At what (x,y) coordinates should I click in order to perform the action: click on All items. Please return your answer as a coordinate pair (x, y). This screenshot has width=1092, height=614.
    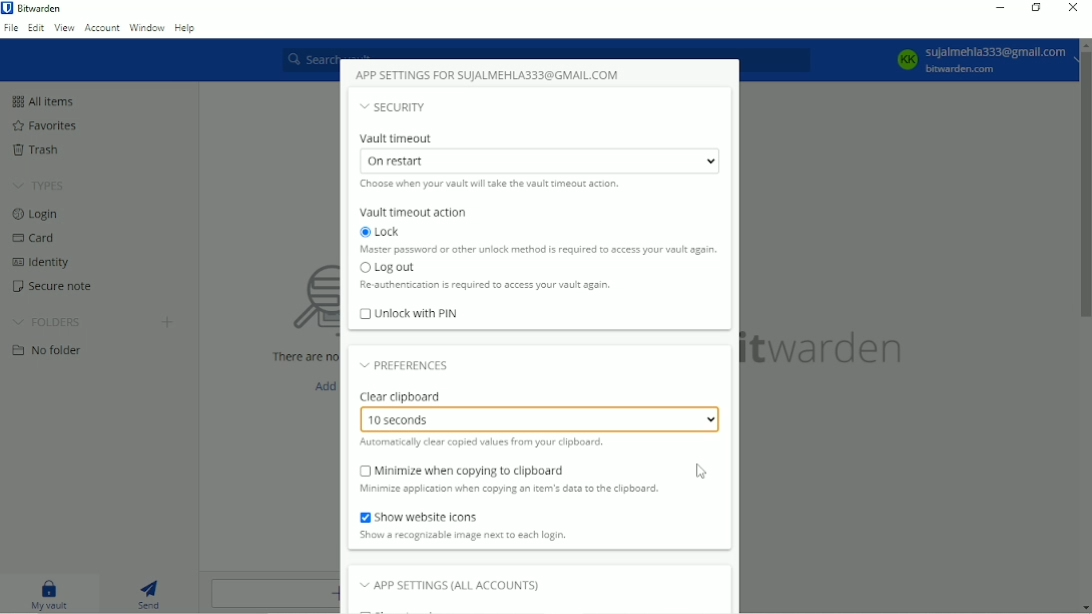
    Looking at the image, I should click on (52, 98).